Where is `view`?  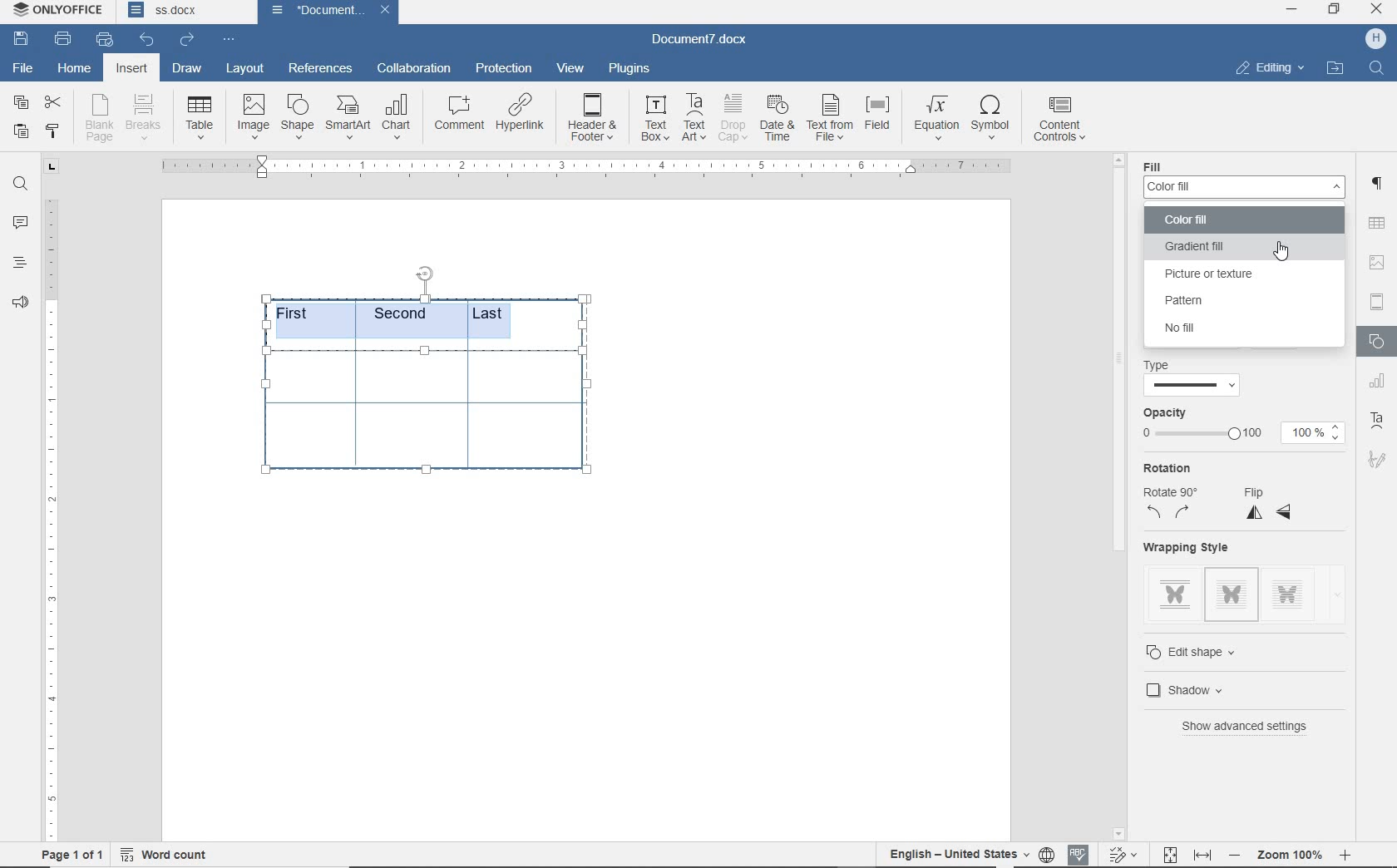 view is located at coordinates (571, 69).